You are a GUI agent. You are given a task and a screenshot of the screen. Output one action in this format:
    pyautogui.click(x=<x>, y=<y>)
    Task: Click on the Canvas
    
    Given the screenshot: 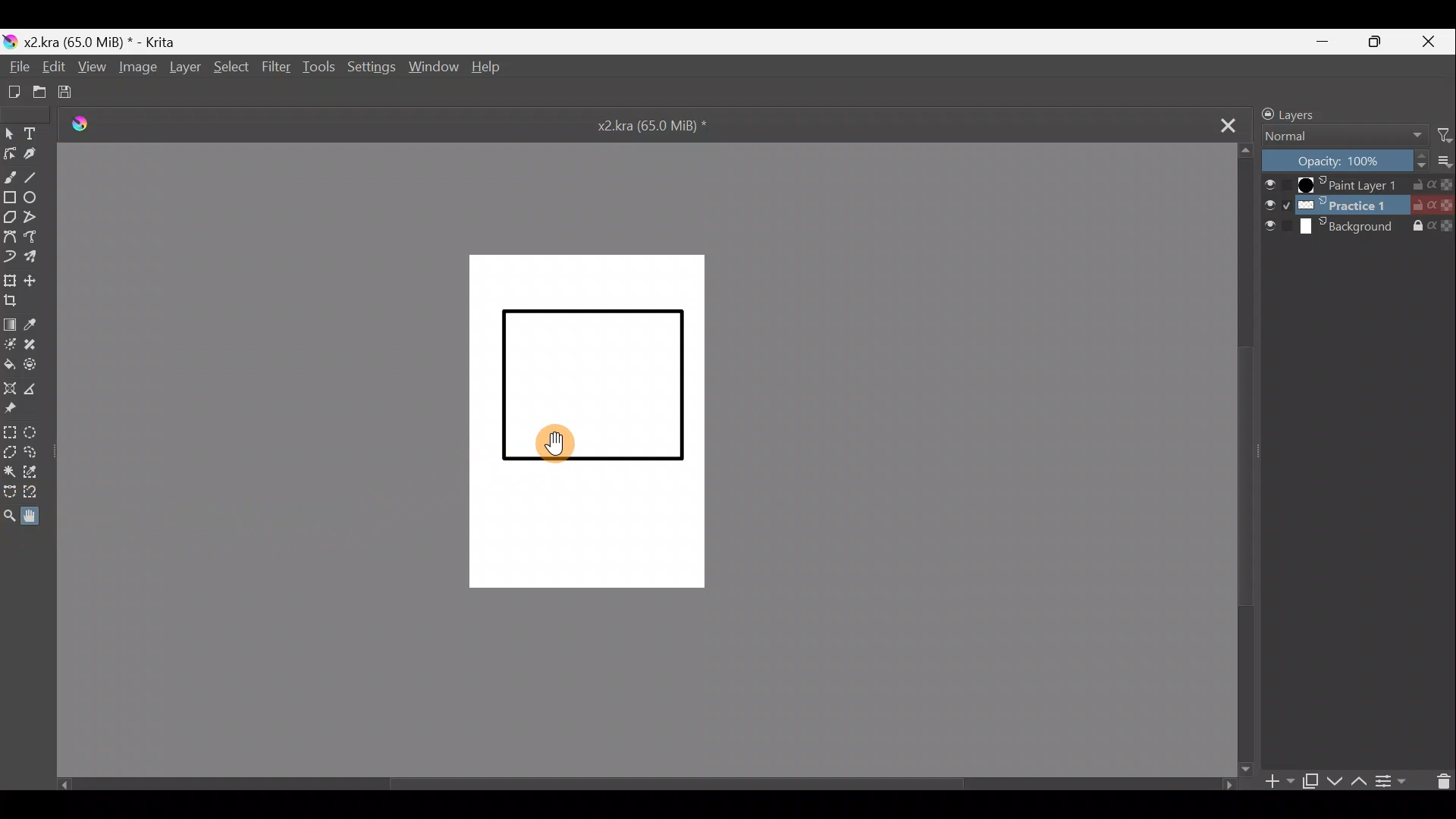 What is the action you would take?
    pyautogui.click(x=598, y=422)
    